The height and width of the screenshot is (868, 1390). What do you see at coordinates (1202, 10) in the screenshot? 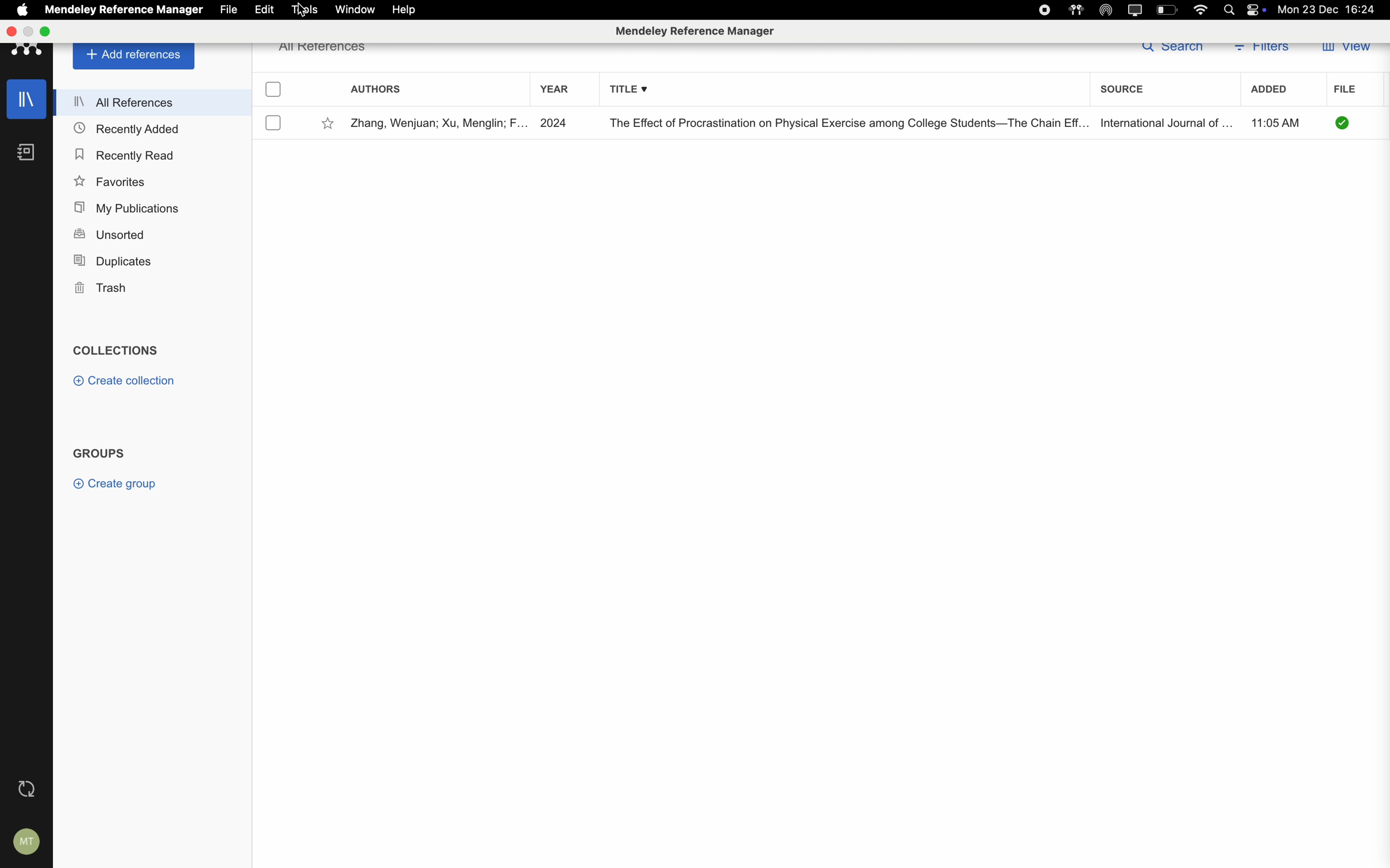
I see `wifi` at bounding box center [1202, 10].